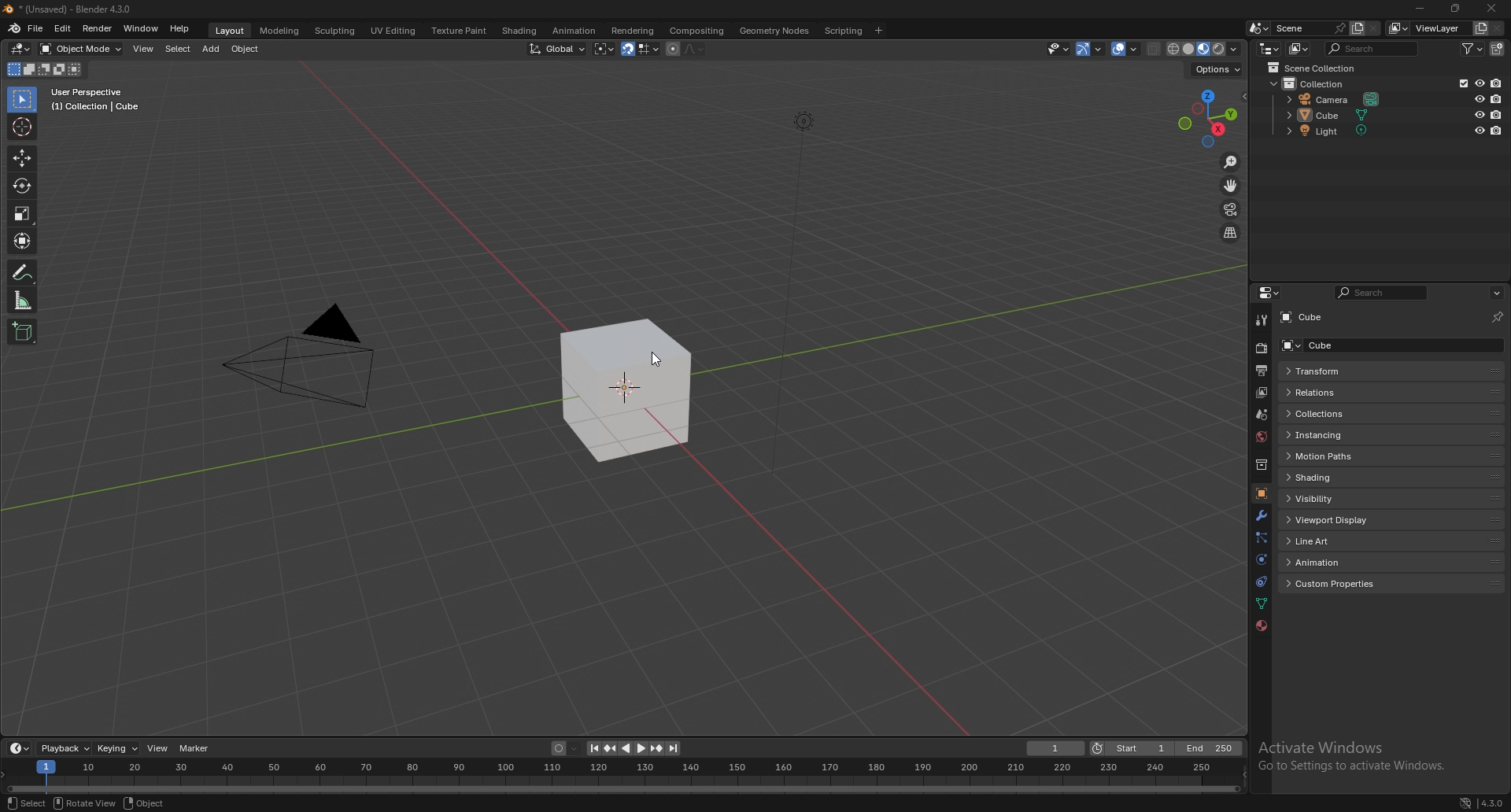 The width and height of the screenshot is (1511, 812). What do you see at coordinates (194, 747) in the screenshot?
I see `marker` at bounding box center [194, 747].